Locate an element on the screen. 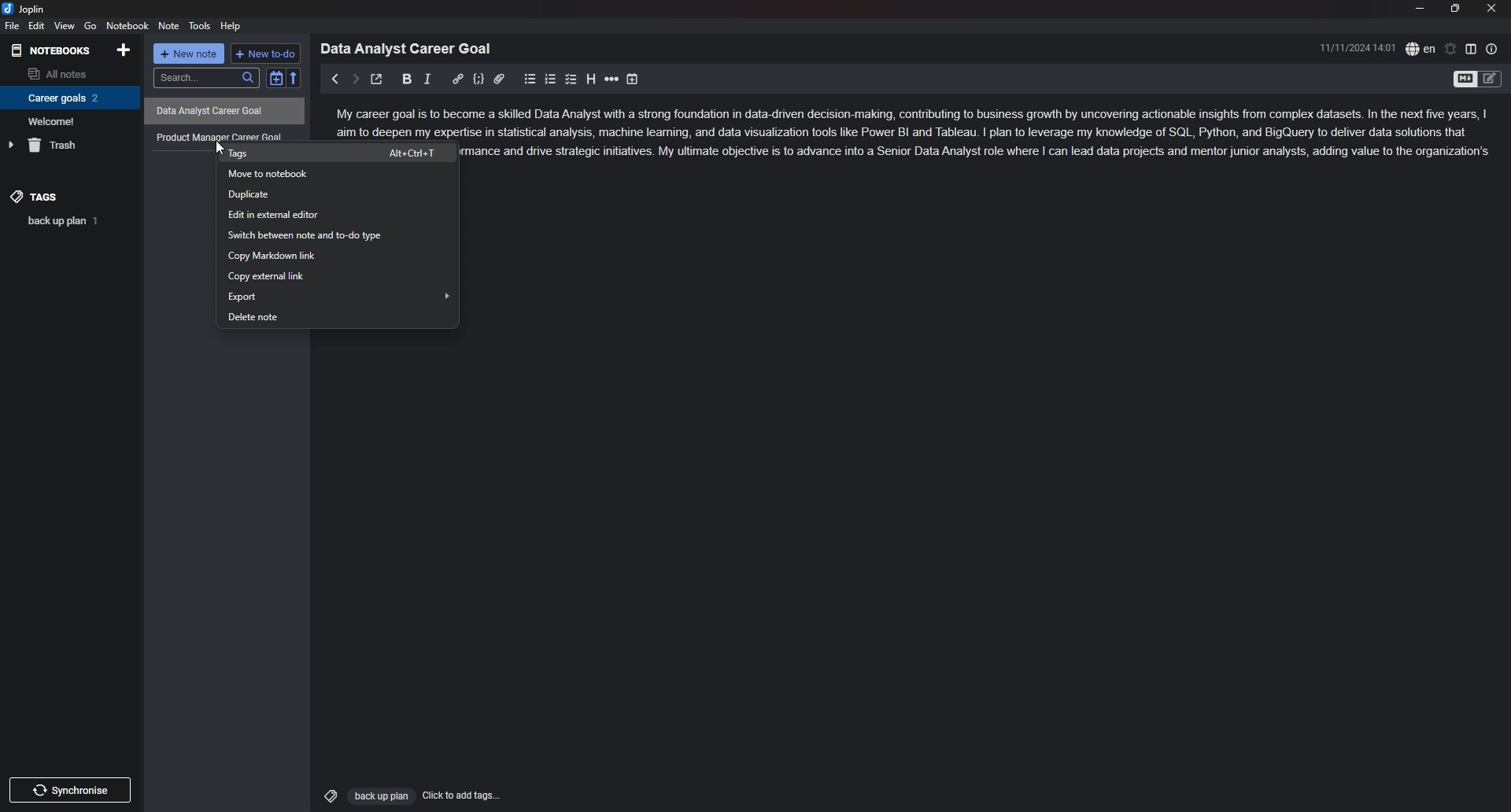  Data Analyst Career Goal is located at coordinates (224, 112).